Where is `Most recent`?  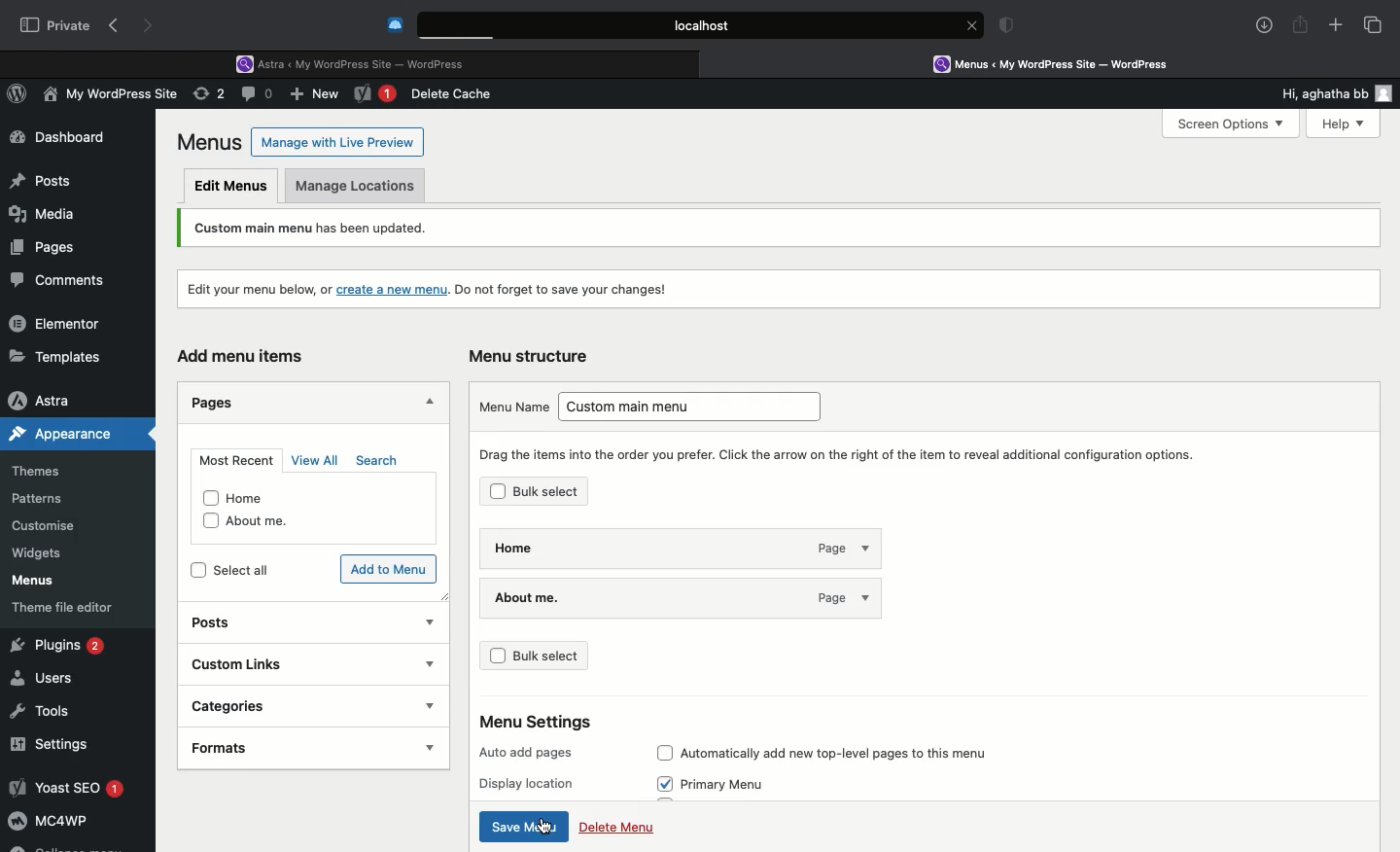
Most recent is located at coordinates (233, 456).